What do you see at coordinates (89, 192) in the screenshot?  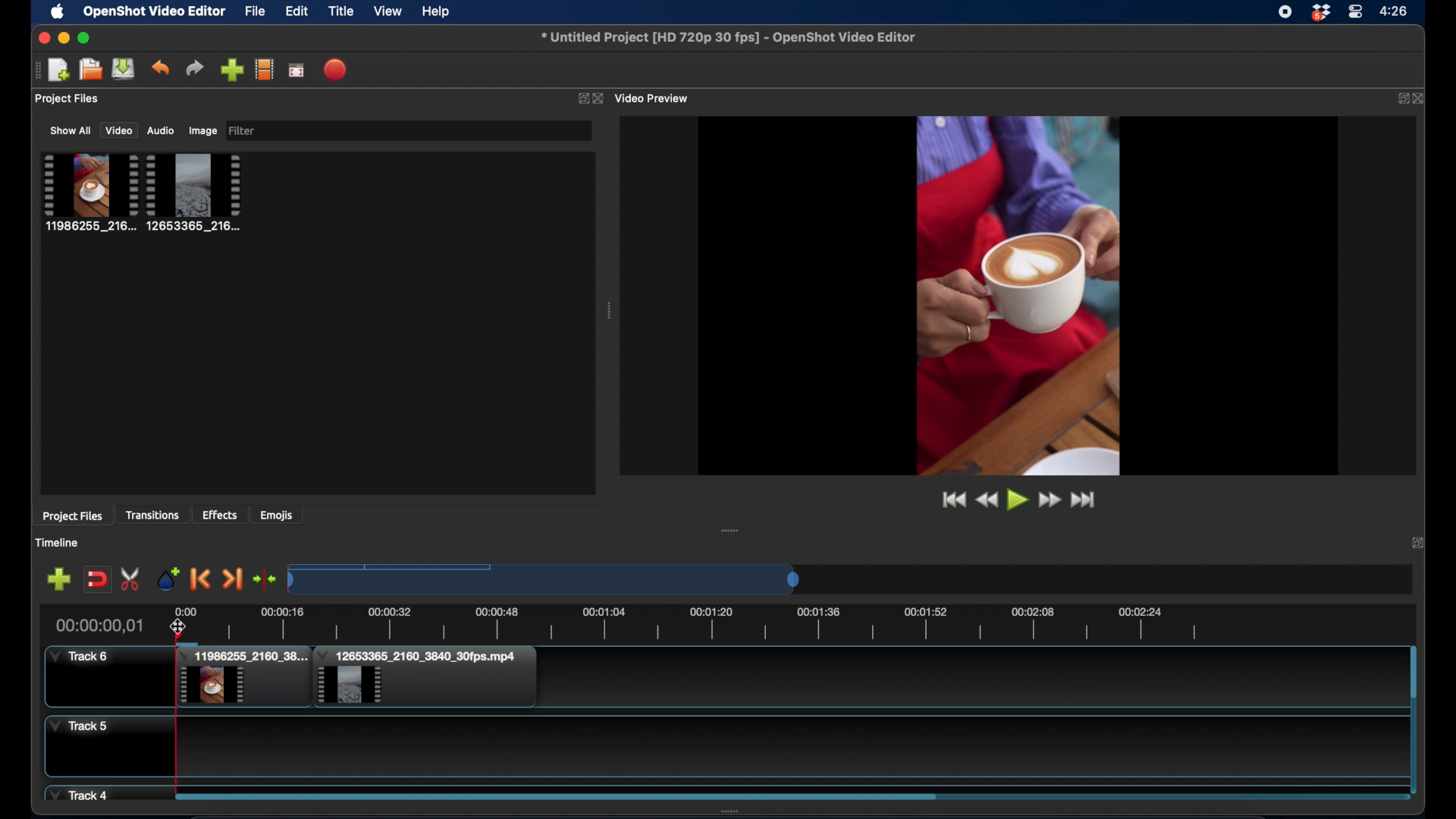 I see `project file` at bounding box center [89, 192].